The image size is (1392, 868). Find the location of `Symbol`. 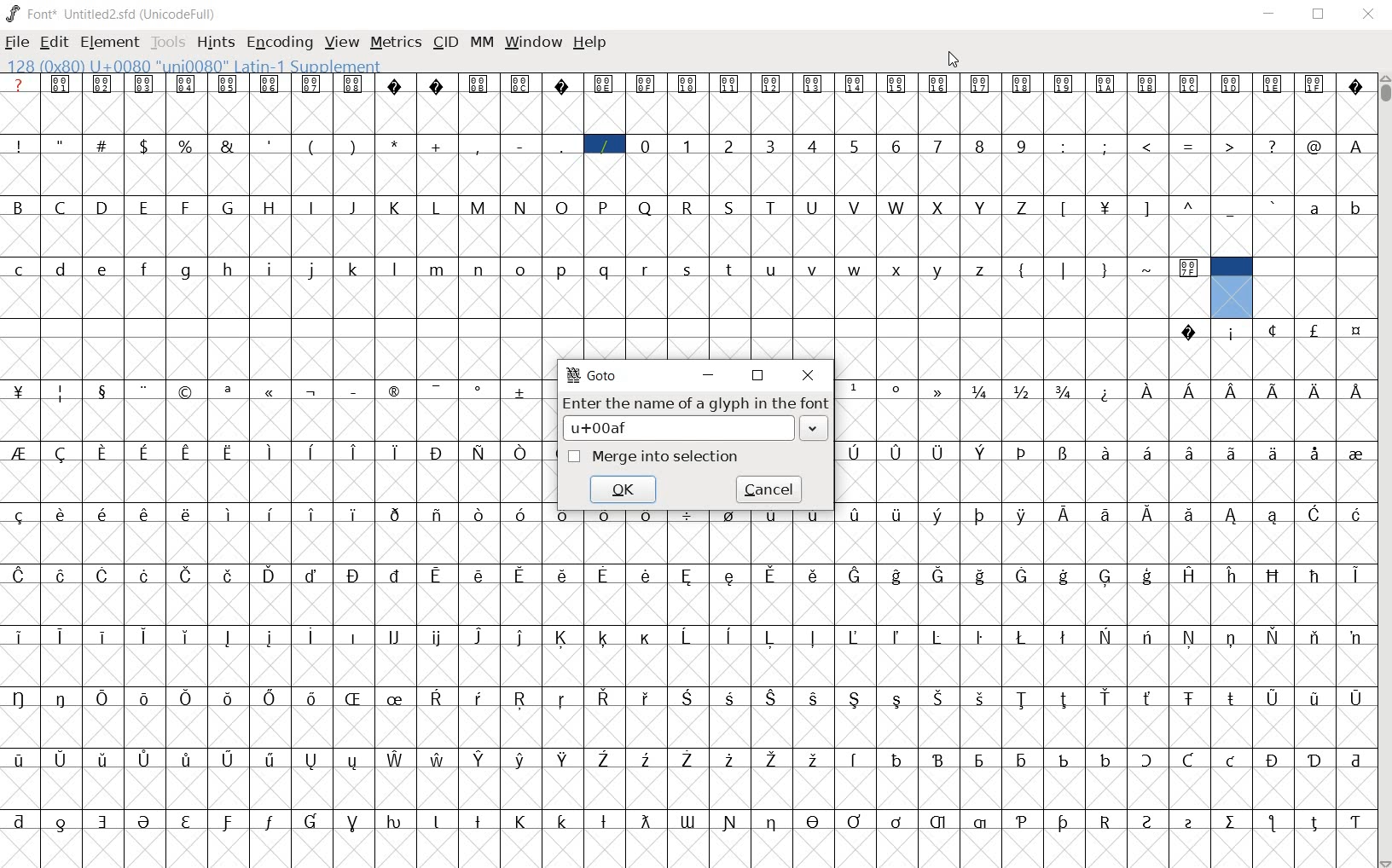

Symbol is located at coordinates (856, 757).